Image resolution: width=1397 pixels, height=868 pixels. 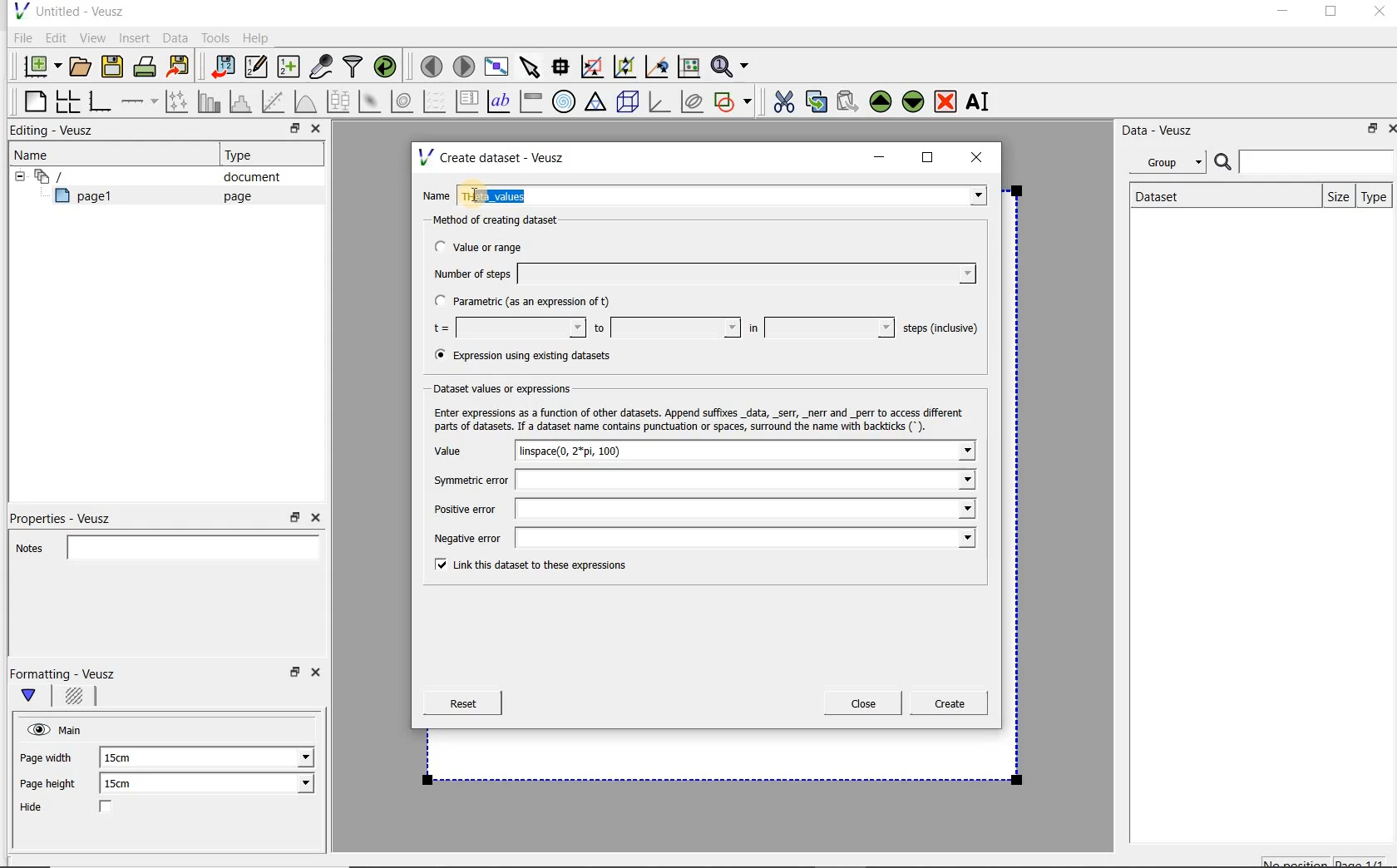 What do you see at coordinates (388, 67) in the screenshot?
I see `reload linked datasets` at bounding box center [388, 67].